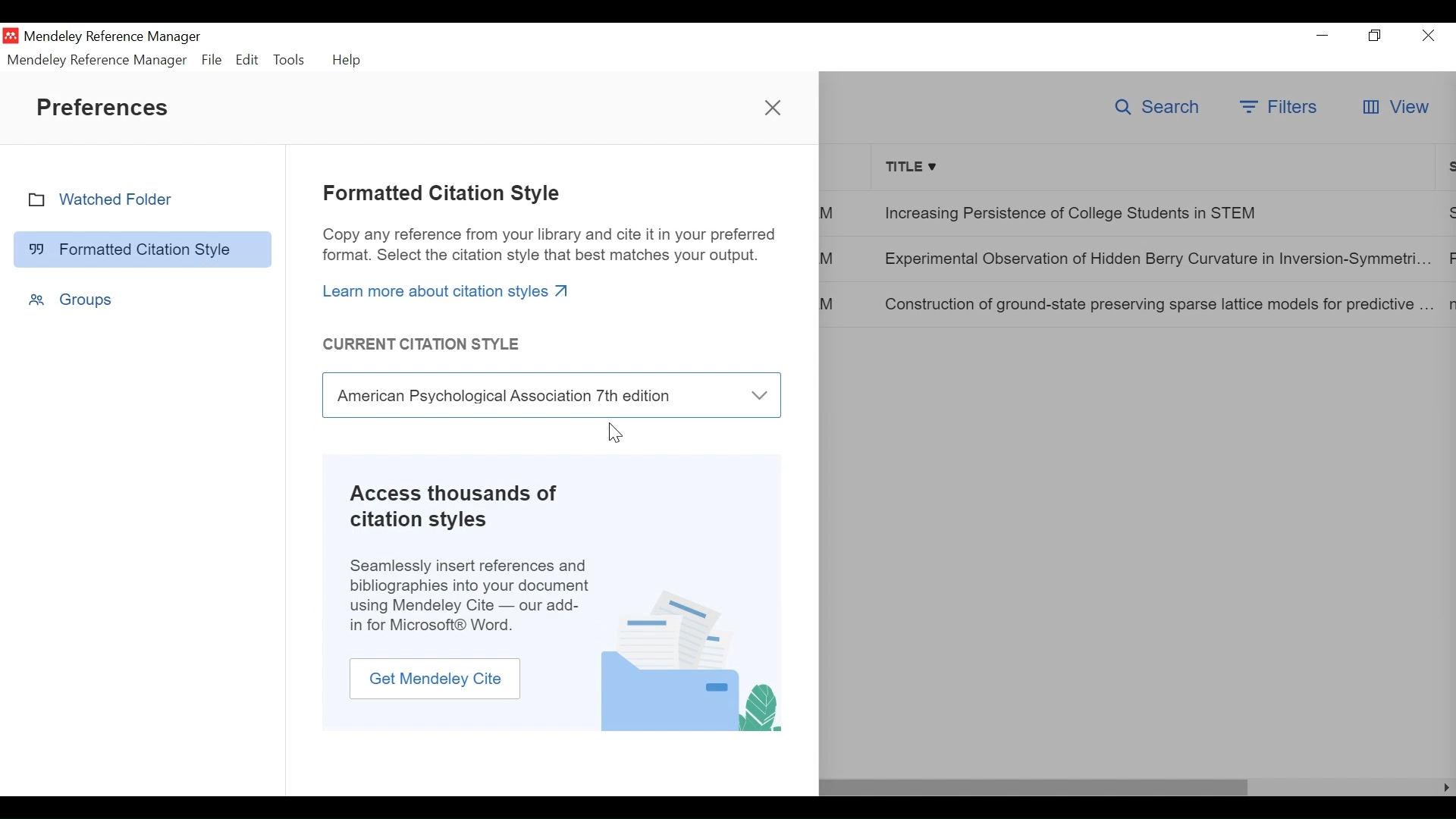 Image resolution: width=1456 pixels, height=819 pixels. What do you see at coordinates (554, 394) in the screenshot?
I see `Current Citation Style Field` at bounding box center [554, 394].